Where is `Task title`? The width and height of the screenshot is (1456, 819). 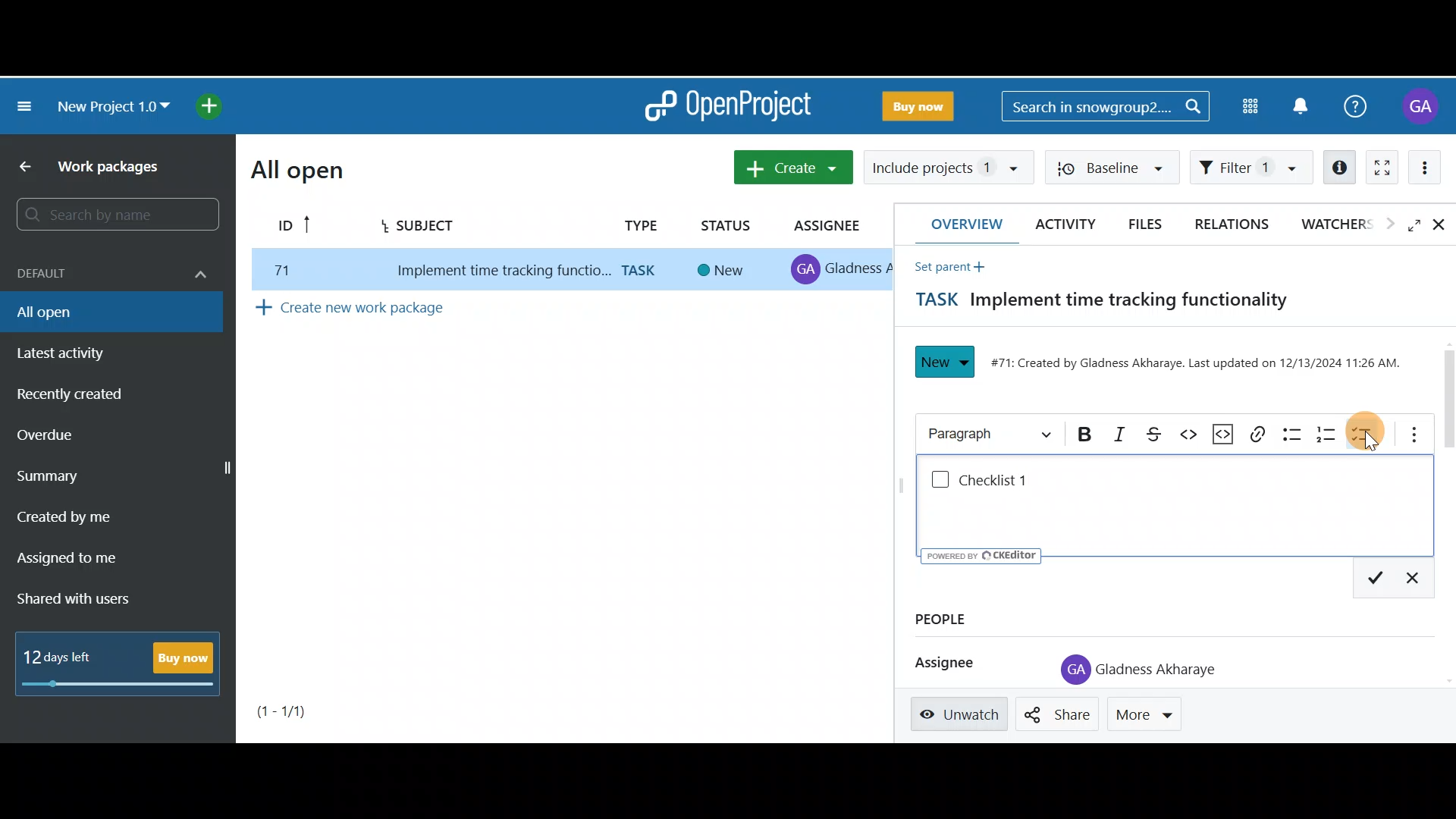 Task title is located at coordinates (1091, 303).